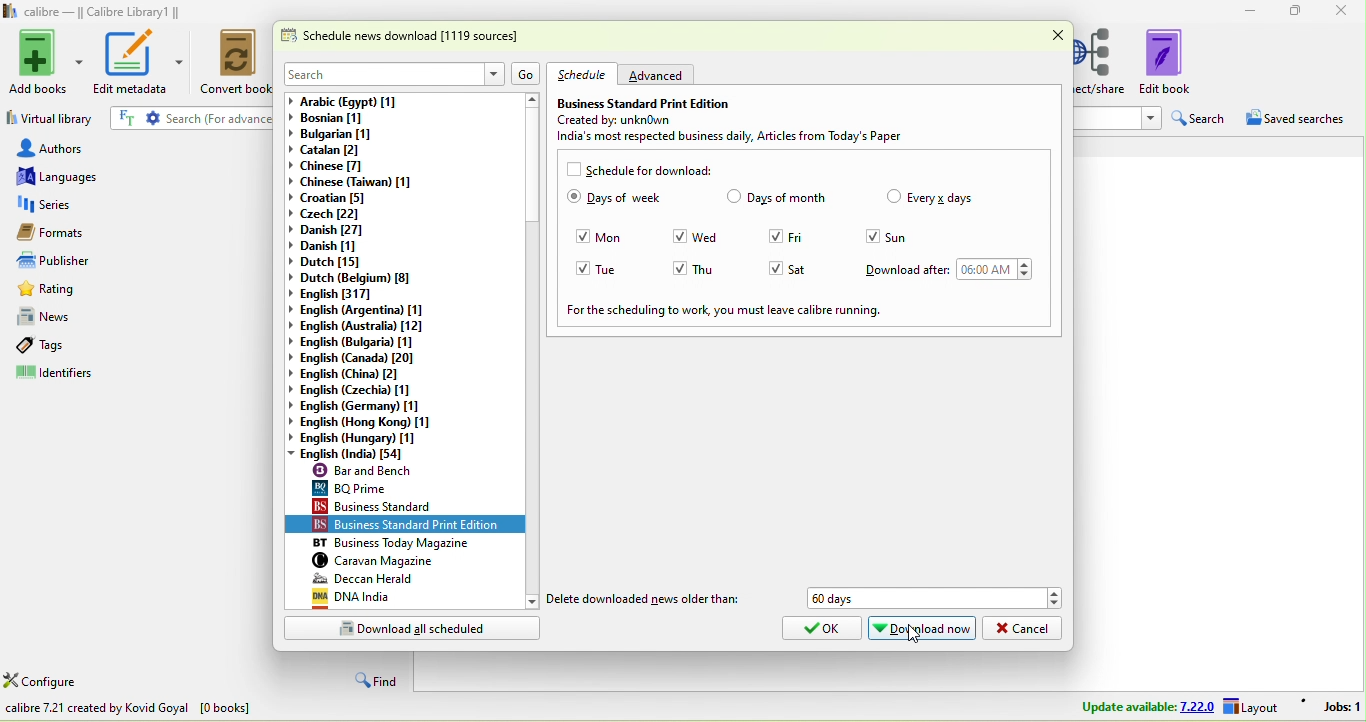 This screenshot has width=1366, height=722. I want to click on maximize, so click(1300, 12).